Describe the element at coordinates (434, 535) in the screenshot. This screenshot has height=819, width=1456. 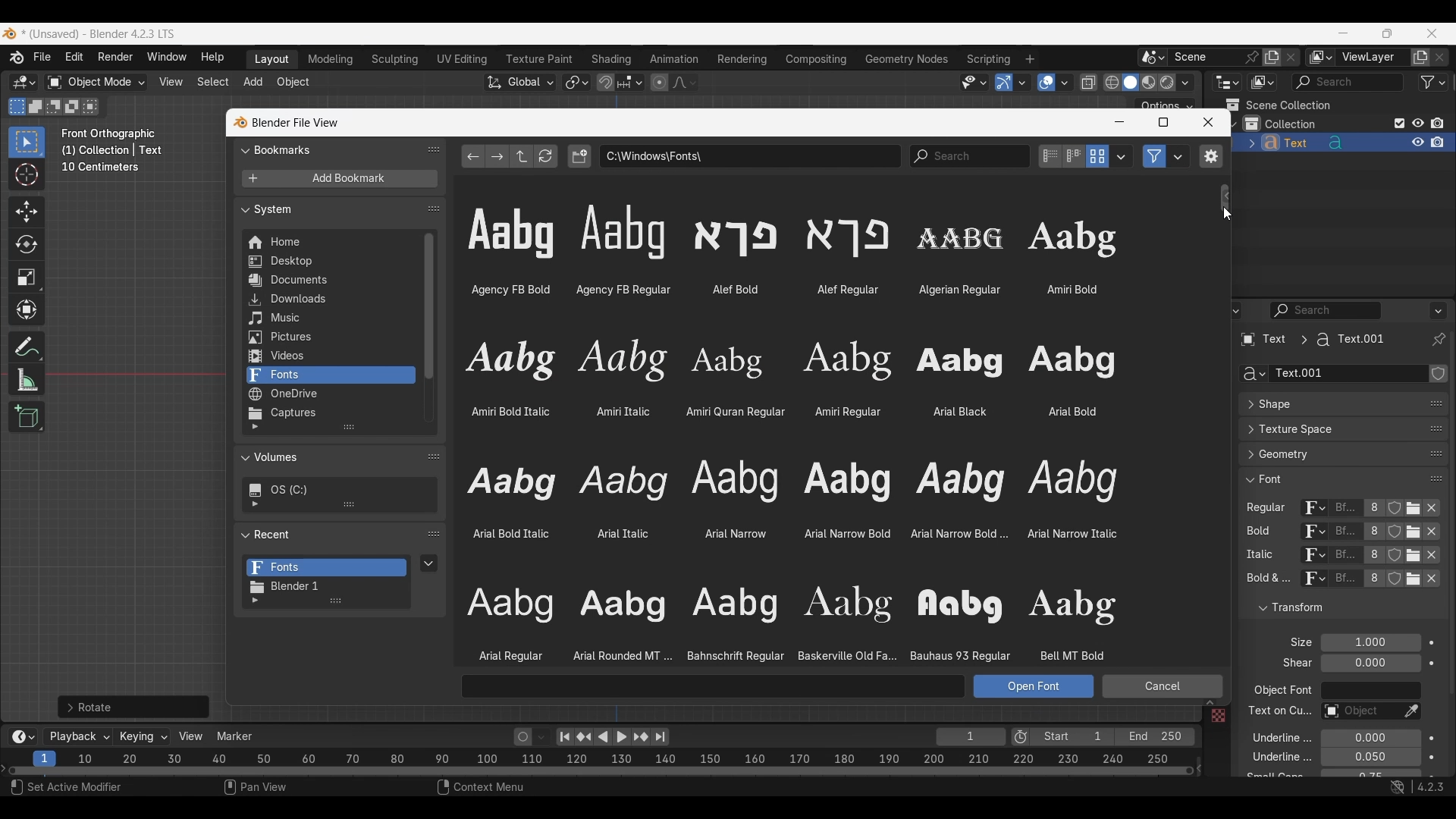
I see `Change order in list` at that location.